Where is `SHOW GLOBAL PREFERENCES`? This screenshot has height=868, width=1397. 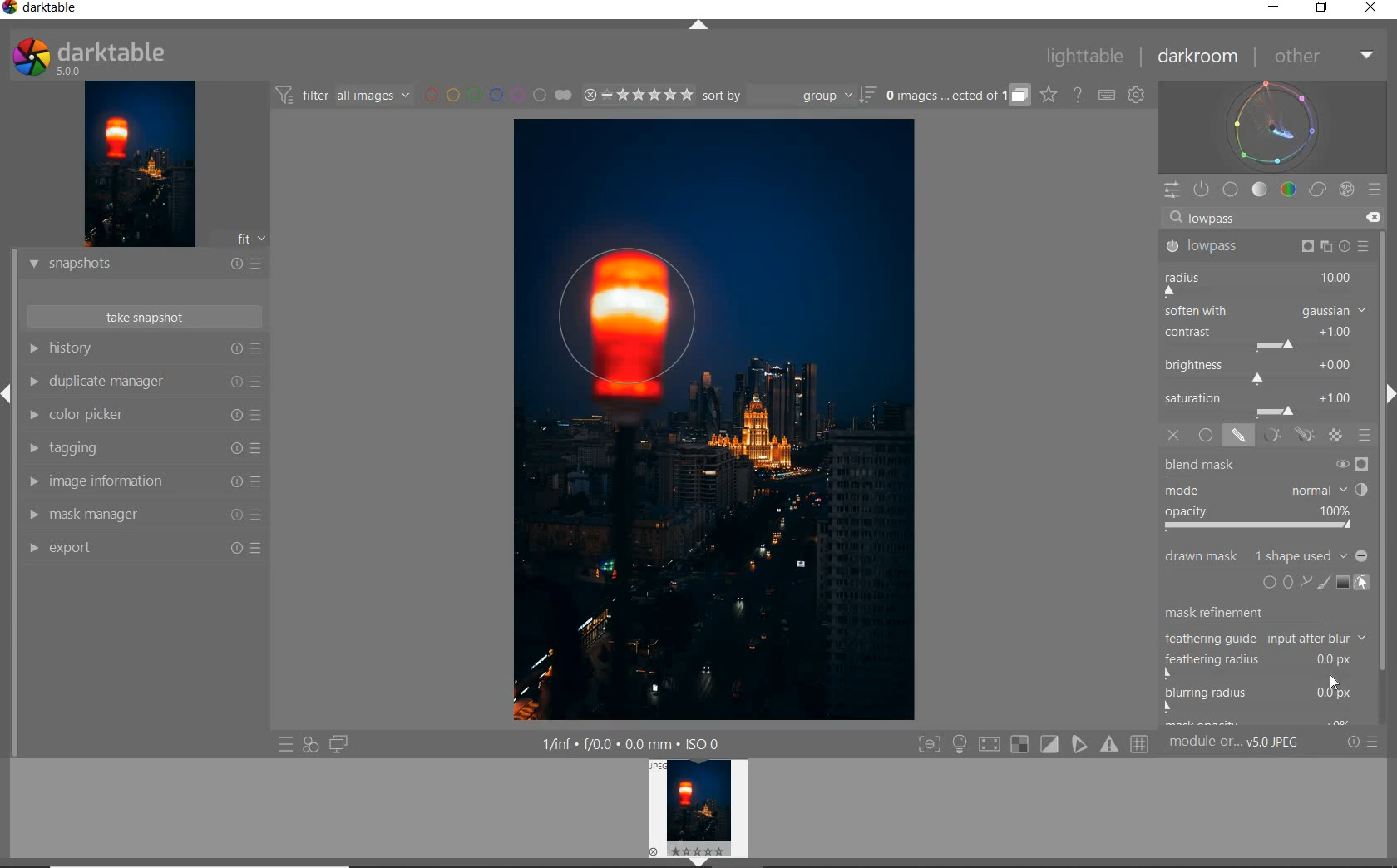
SHOW GLOBAL PREFERENCES is located at coordinates (1138, 96).